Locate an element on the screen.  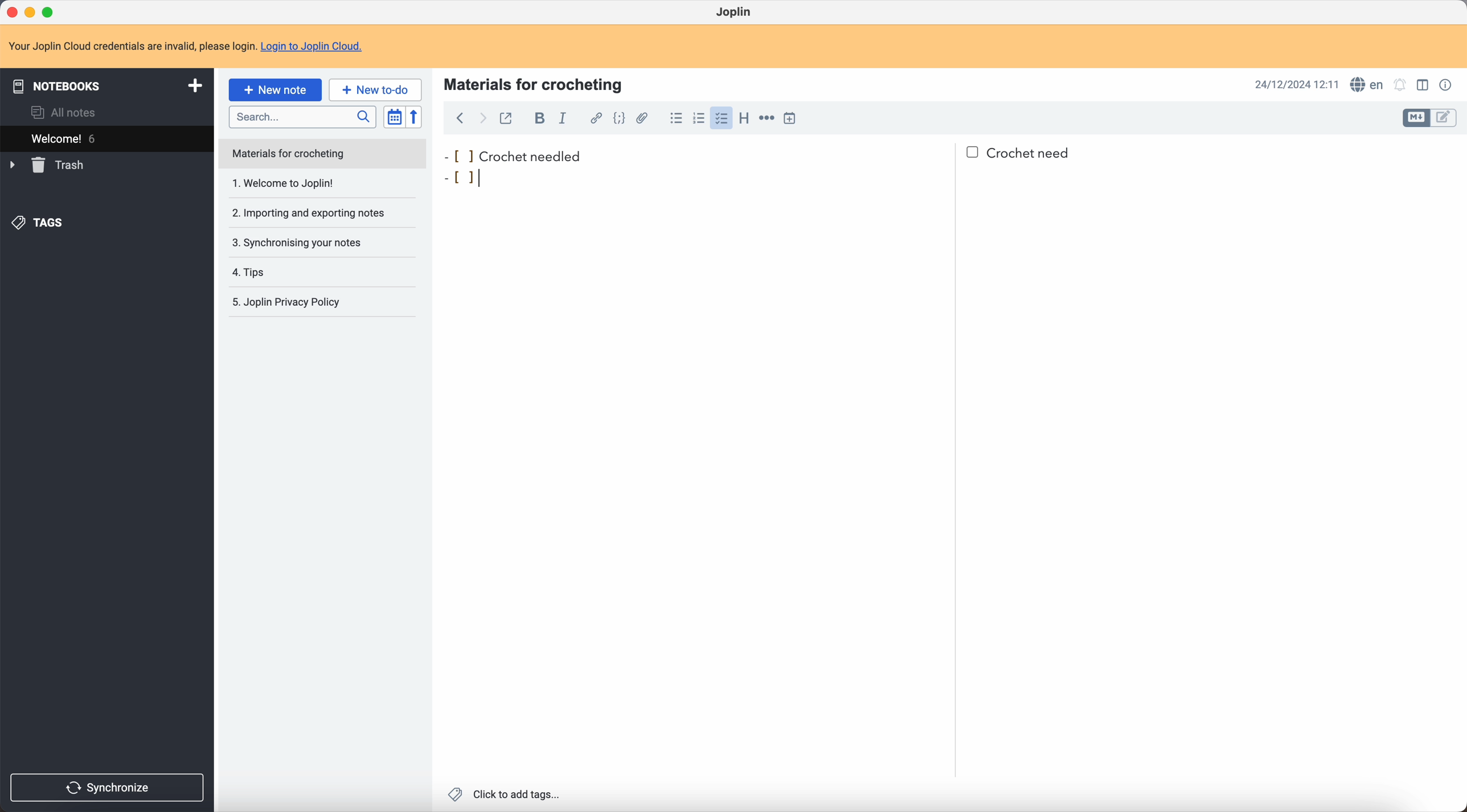
back is located at coordinates (460, 120).